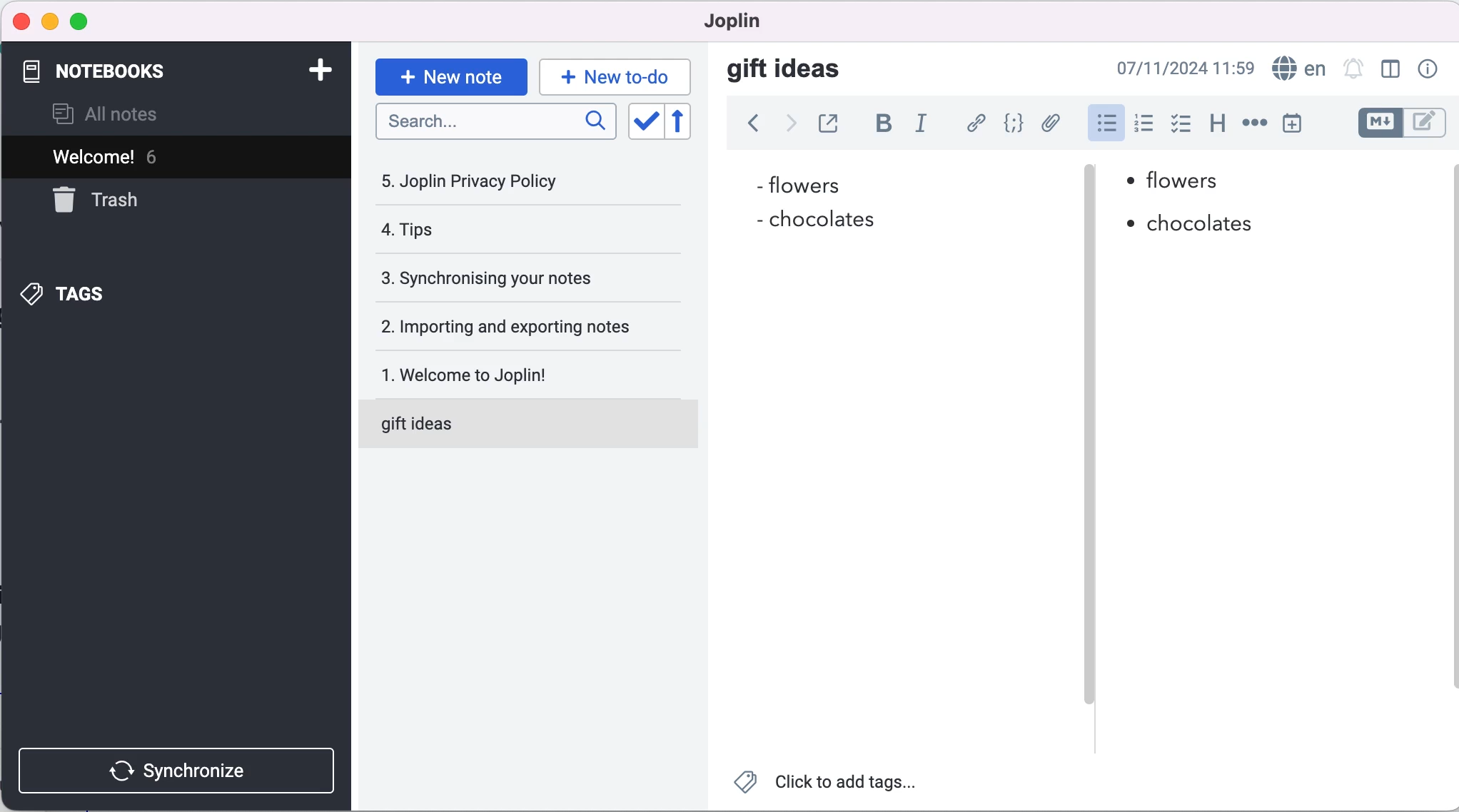 This screenshot has width=1459, height=812. Describe the element at coordinates (1144, 124) in the screenshot. I see `numbered list` at that location.